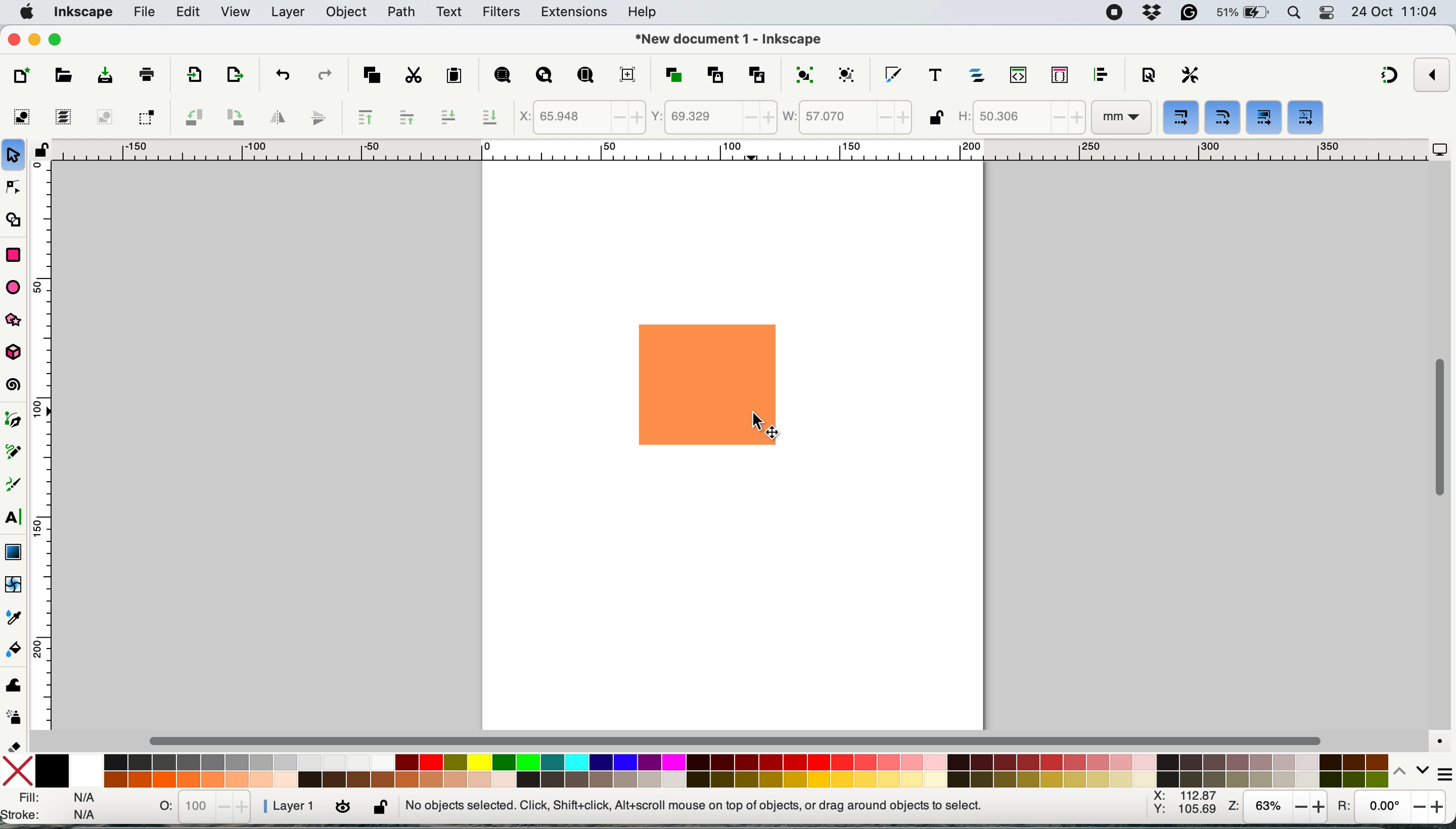  I want to click on cut, so click(412, 75).